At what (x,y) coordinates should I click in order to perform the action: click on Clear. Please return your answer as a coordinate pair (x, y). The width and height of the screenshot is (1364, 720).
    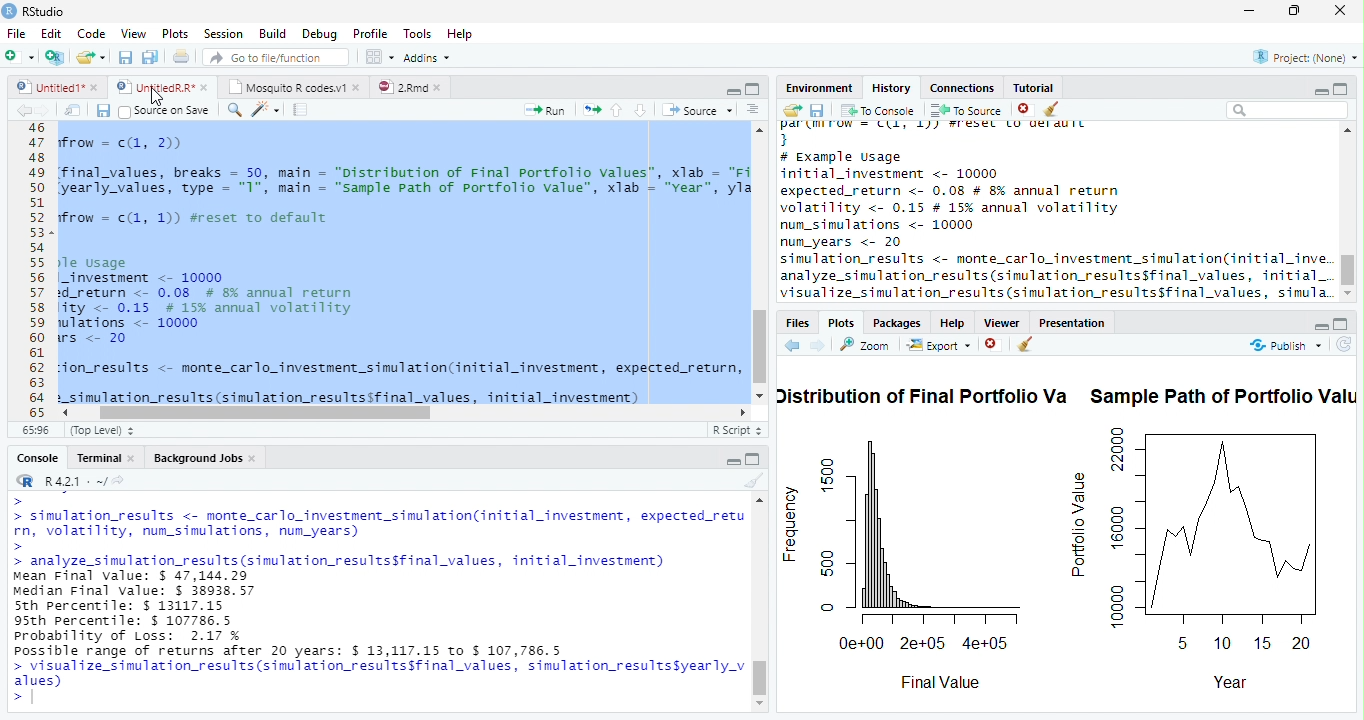
    Looking at the image, I should click on (1056, 110).